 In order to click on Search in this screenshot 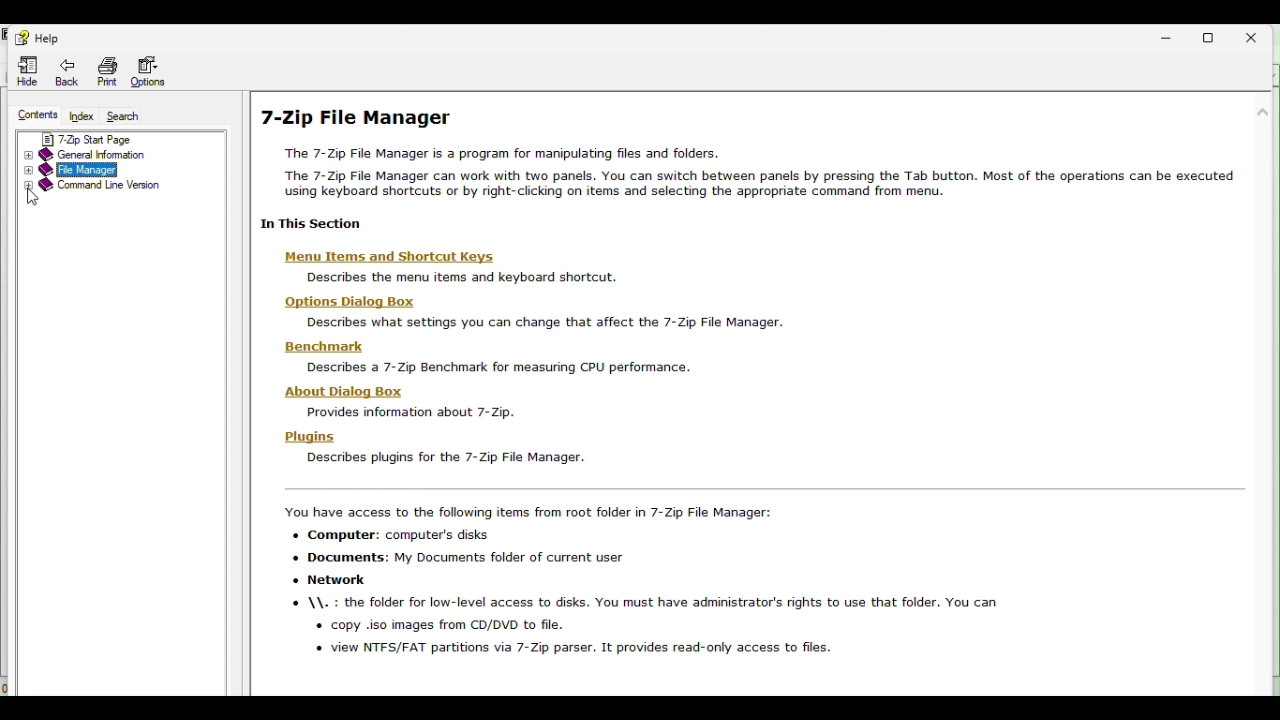, I will do `click(128, 116)`.